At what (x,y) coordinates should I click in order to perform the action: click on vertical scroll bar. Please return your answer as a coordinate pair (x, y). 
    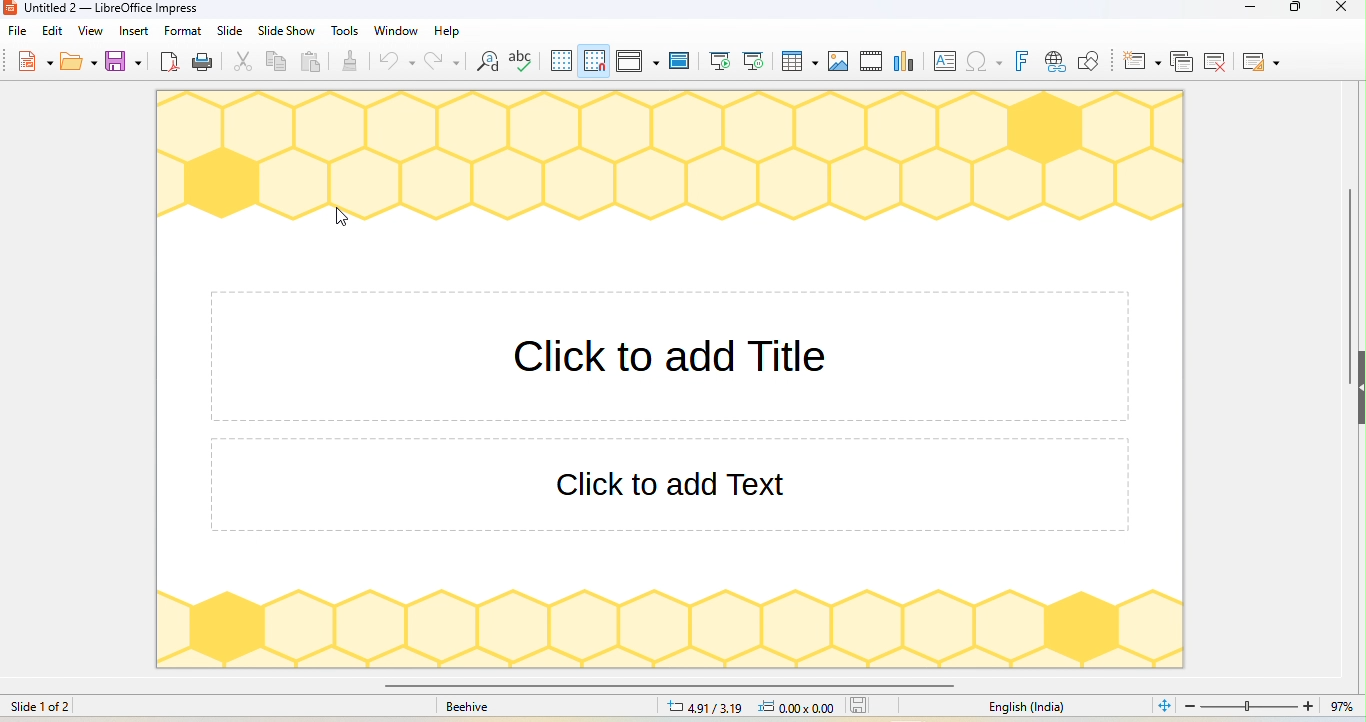
    Looking at the image, I should click on (1349, 285).